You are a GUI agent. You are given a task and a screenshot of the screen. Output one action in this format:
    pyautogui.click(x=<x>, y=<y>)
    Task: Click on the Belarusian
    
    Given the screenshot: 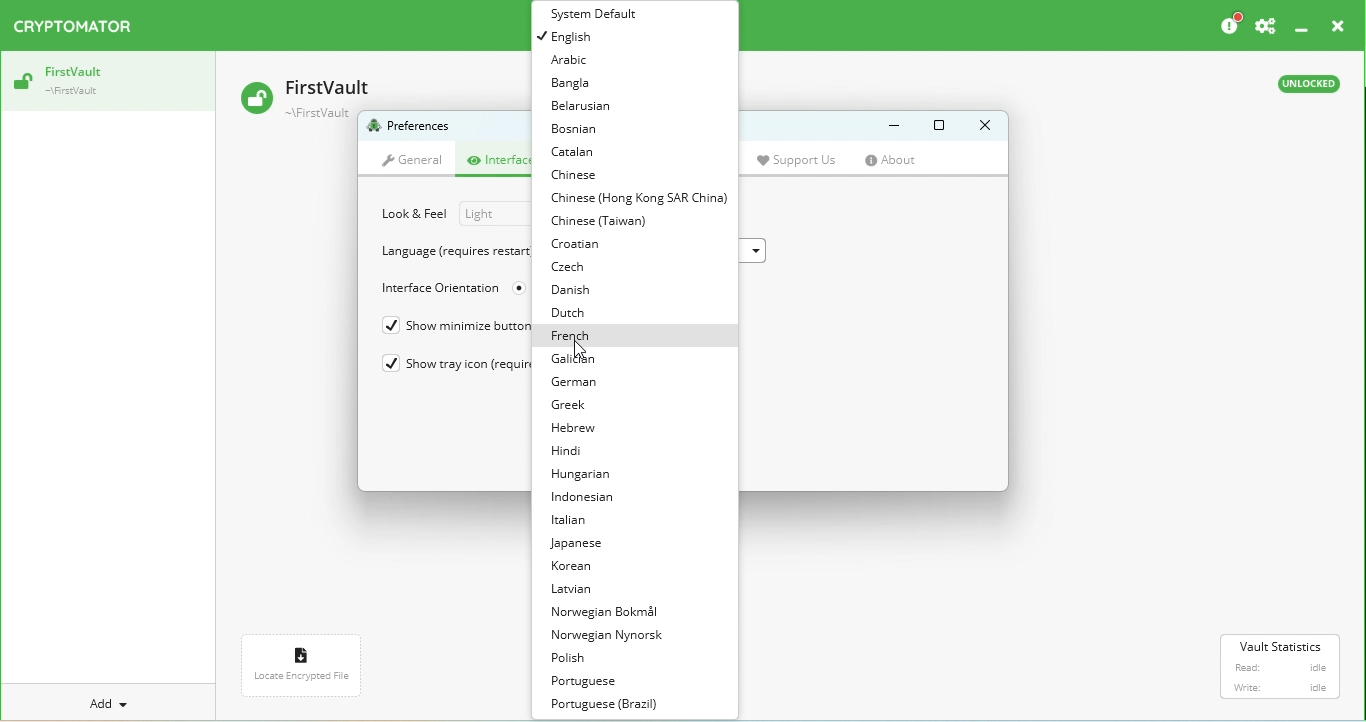 What is the action you would take?
    pyautogui.click(x=592, y=109)
    